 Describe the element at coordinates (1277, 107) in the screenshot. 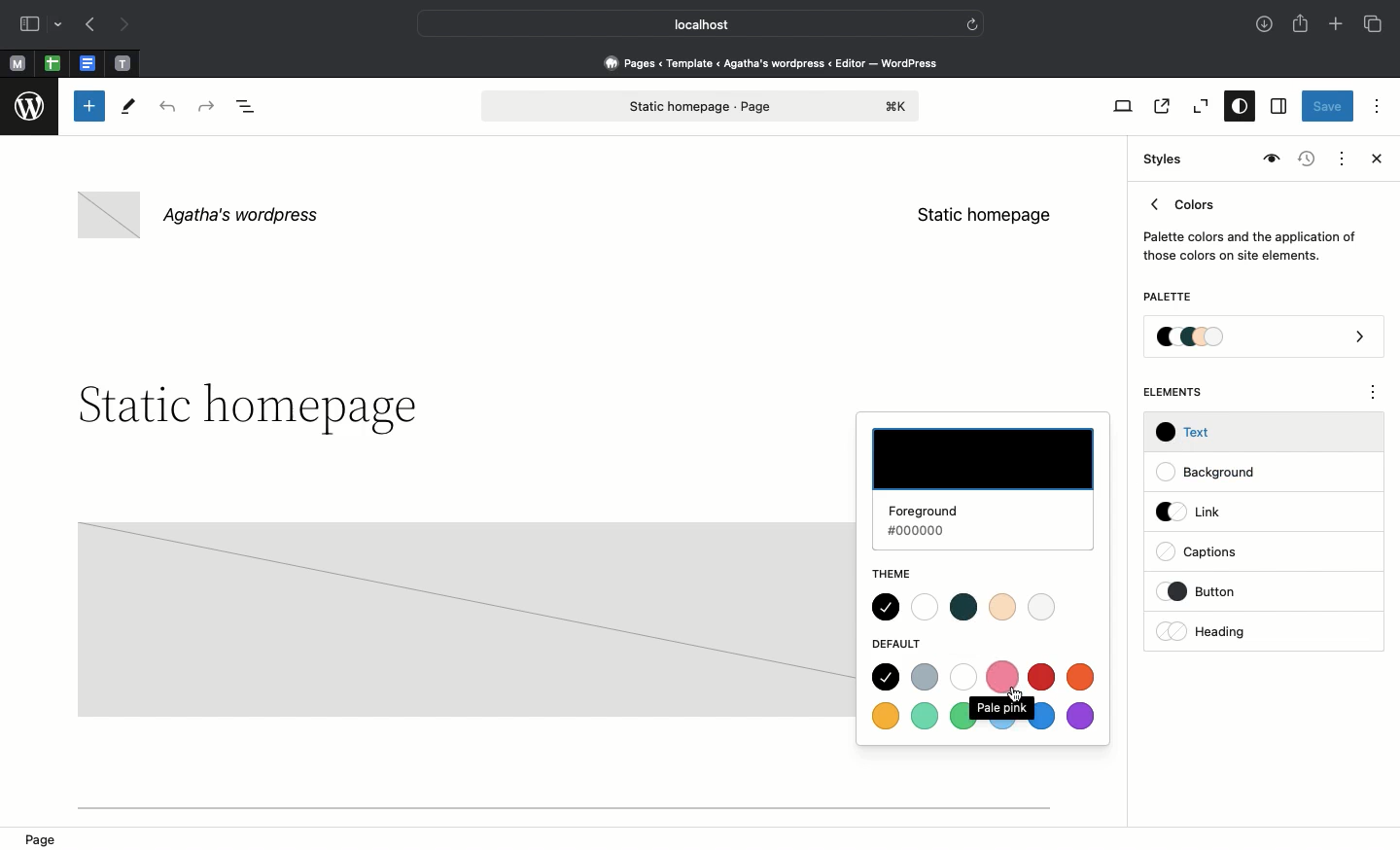

I see `Settings` at that location.